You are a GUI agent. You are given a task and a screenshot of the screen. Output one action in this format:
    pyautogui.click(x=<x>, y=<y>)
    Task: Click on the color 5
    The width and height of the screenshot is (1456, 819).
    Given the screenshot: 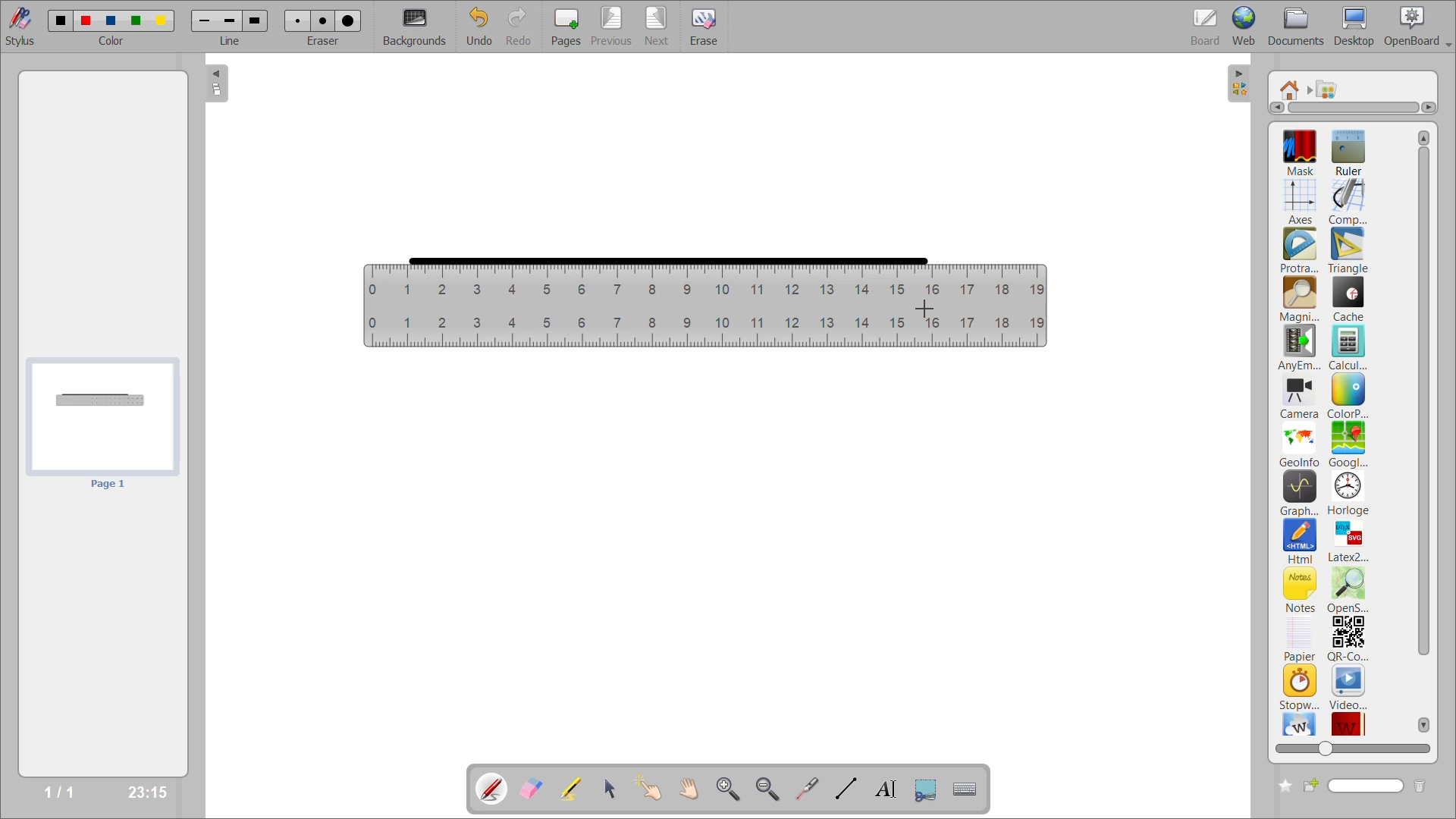 What is the action you would take?
    pyautogui.click(x=159, y=20)
    